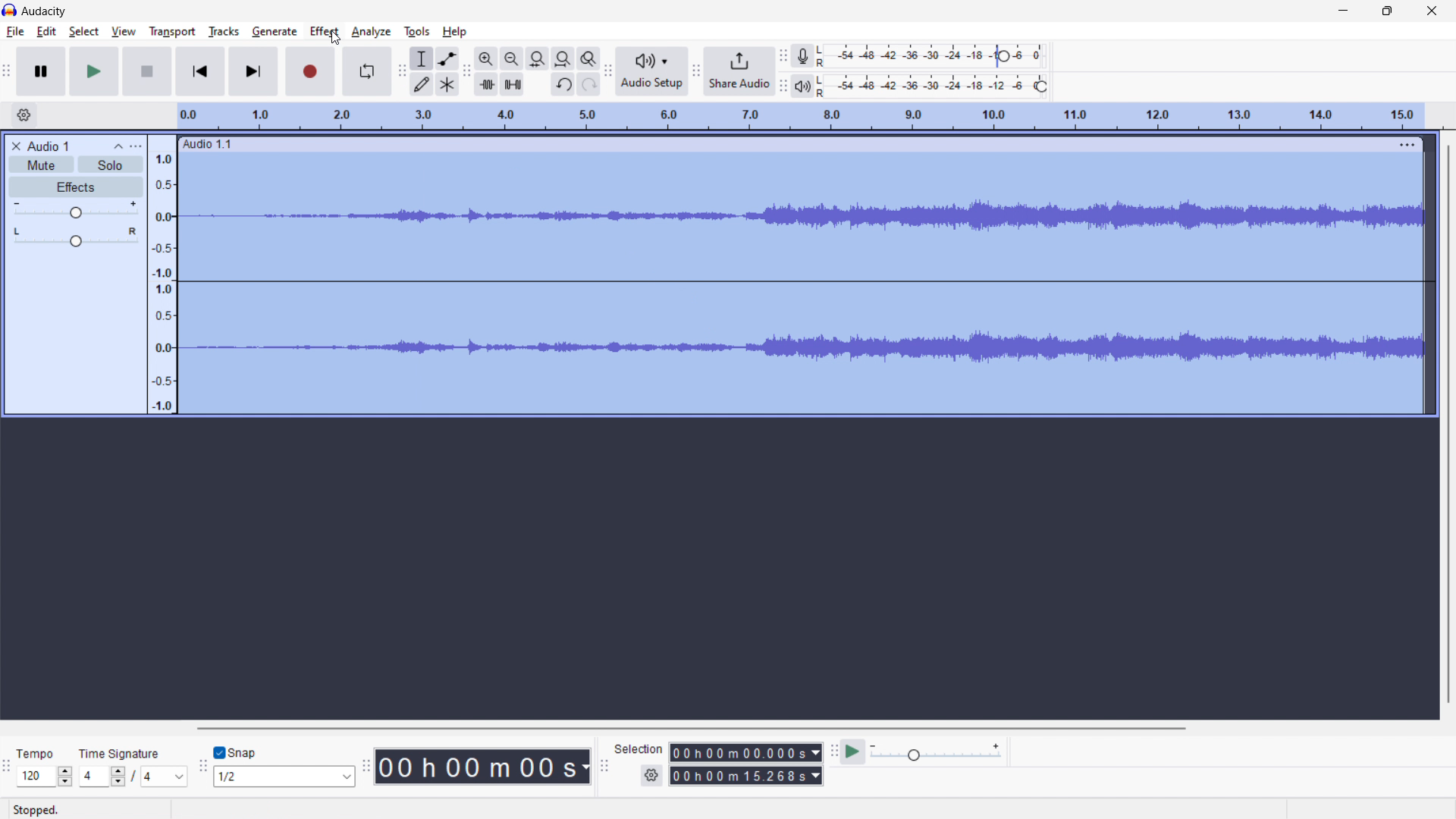 The height and width of the screenshot is (819, 1456). What do you see at coordinates (334, 39) in the screenshot?
I see `cursor on effects` at bounding box center [334, 39].